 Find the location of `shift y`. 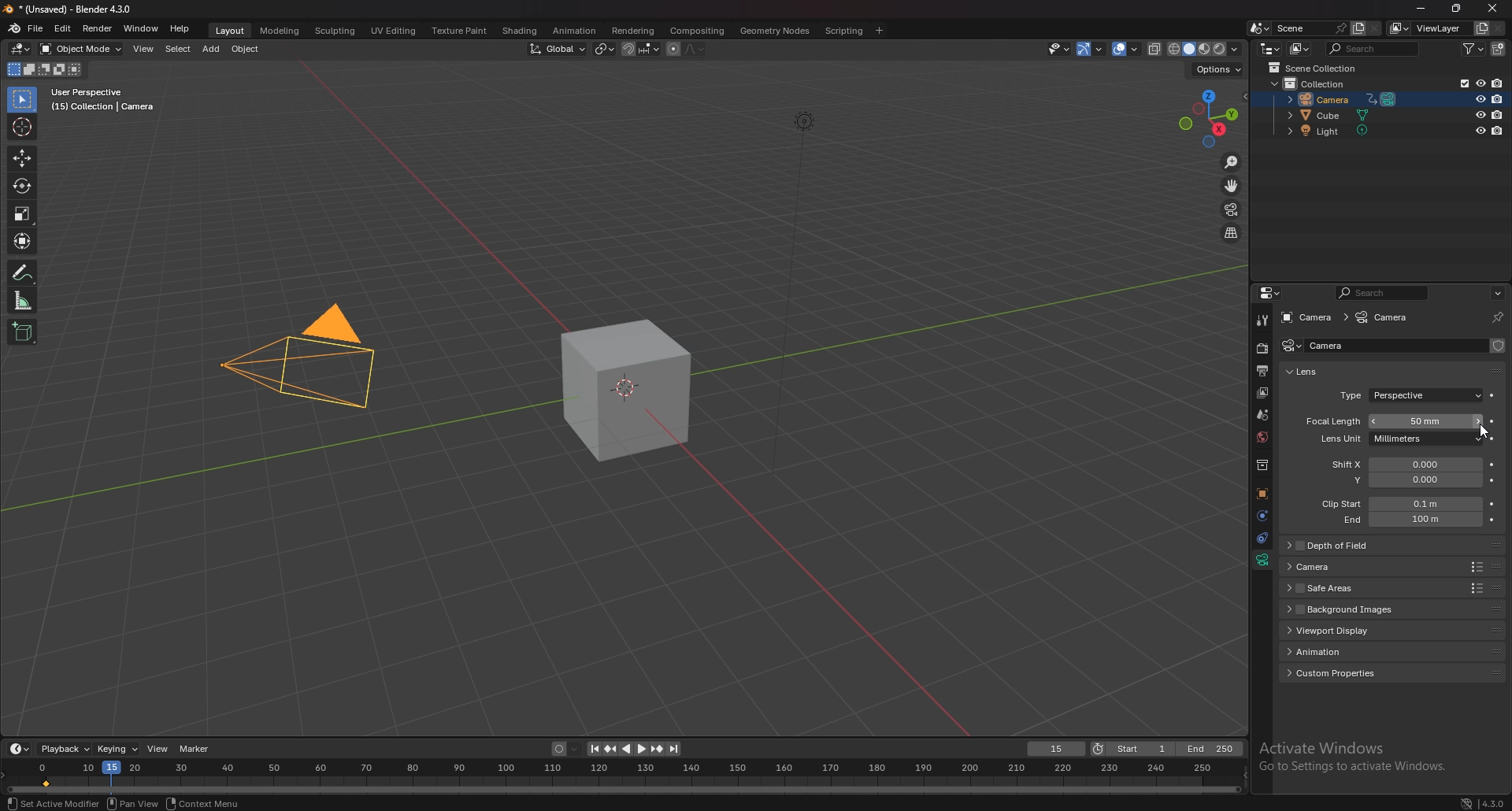

shift y is located at coordinates (1402, 480).